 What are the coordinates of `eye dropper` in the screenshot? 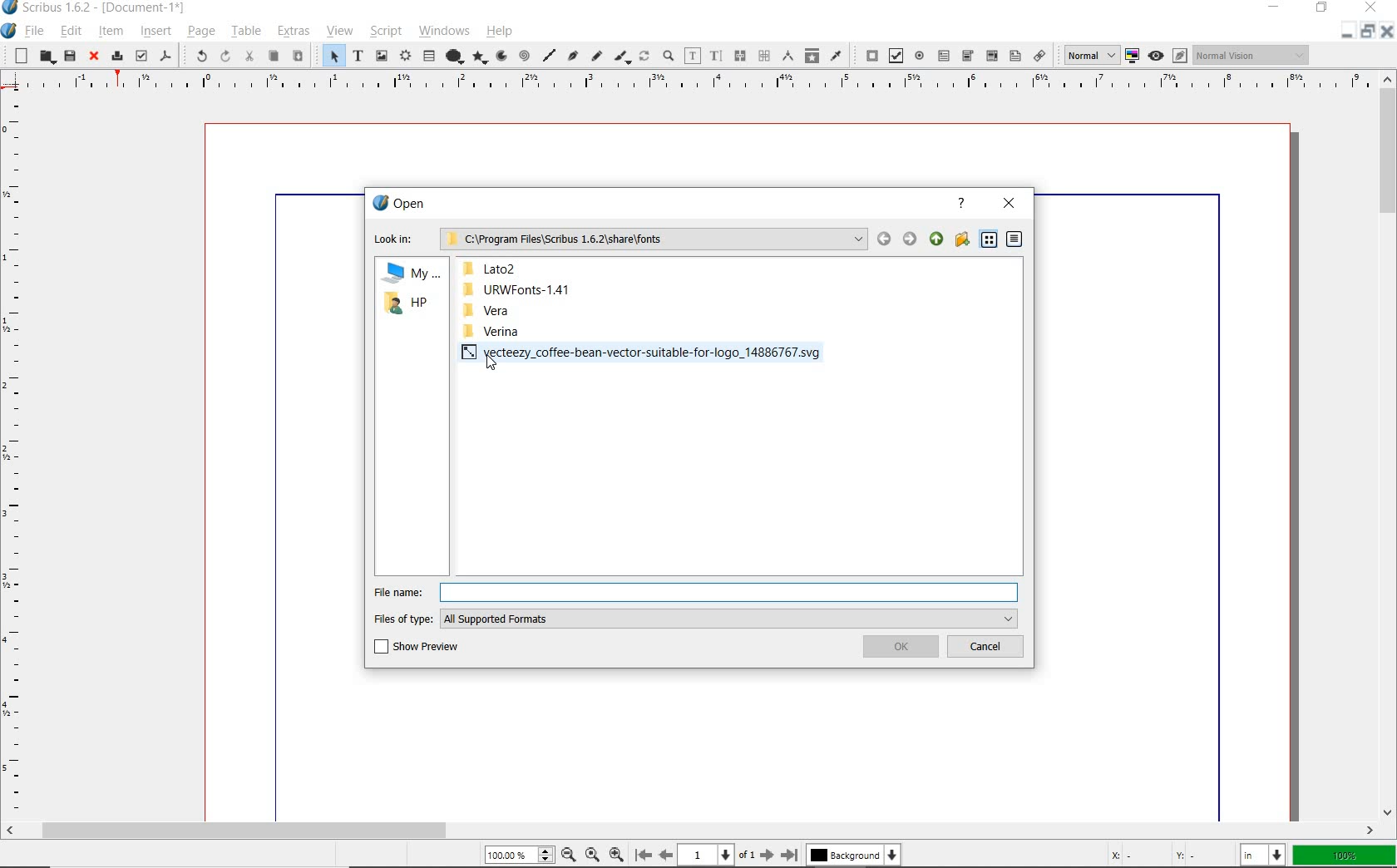 It's located at (836, 56).